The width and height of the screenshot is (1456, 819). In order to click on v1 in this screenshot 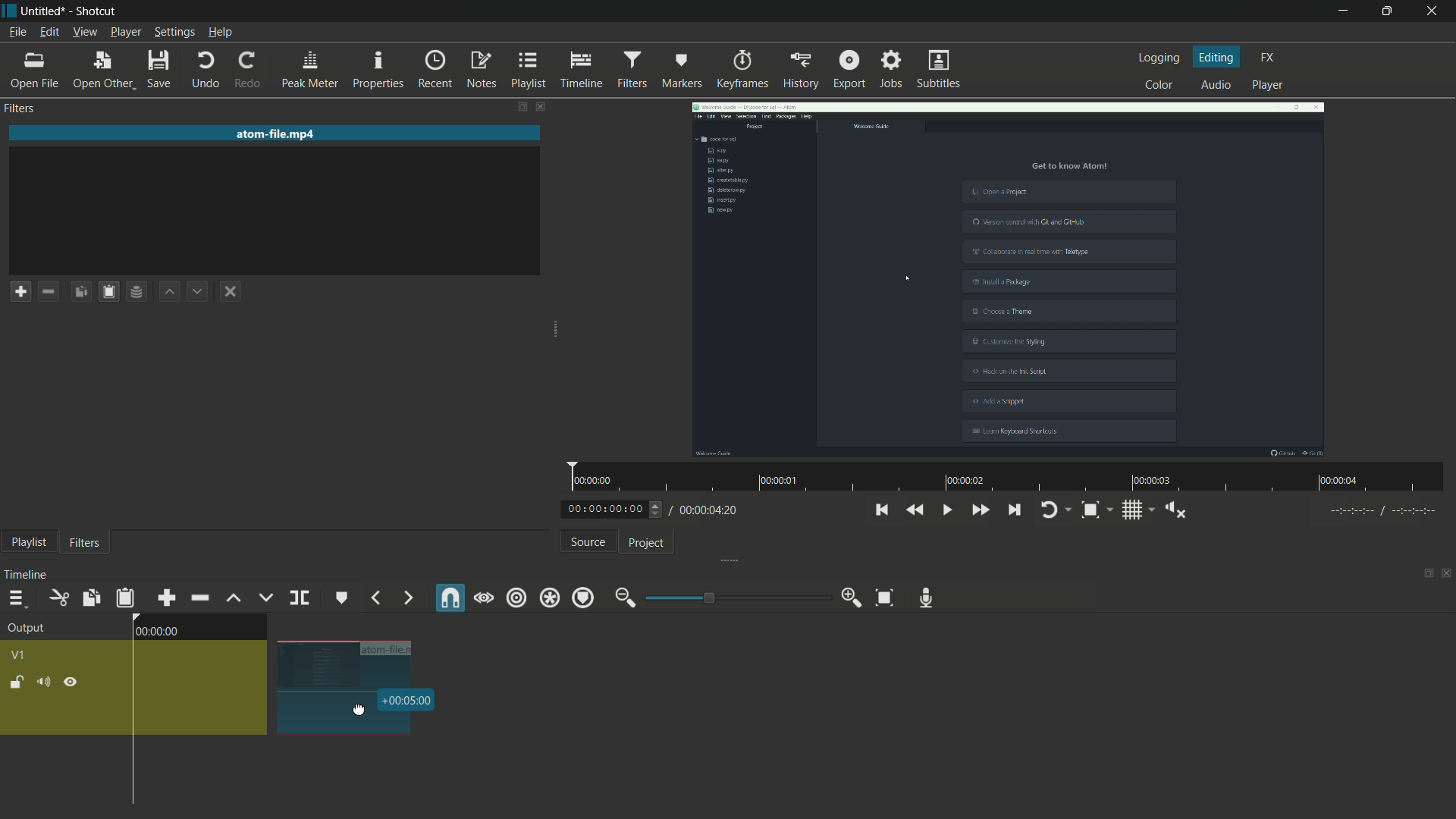, I will do `click(22, 655)`.